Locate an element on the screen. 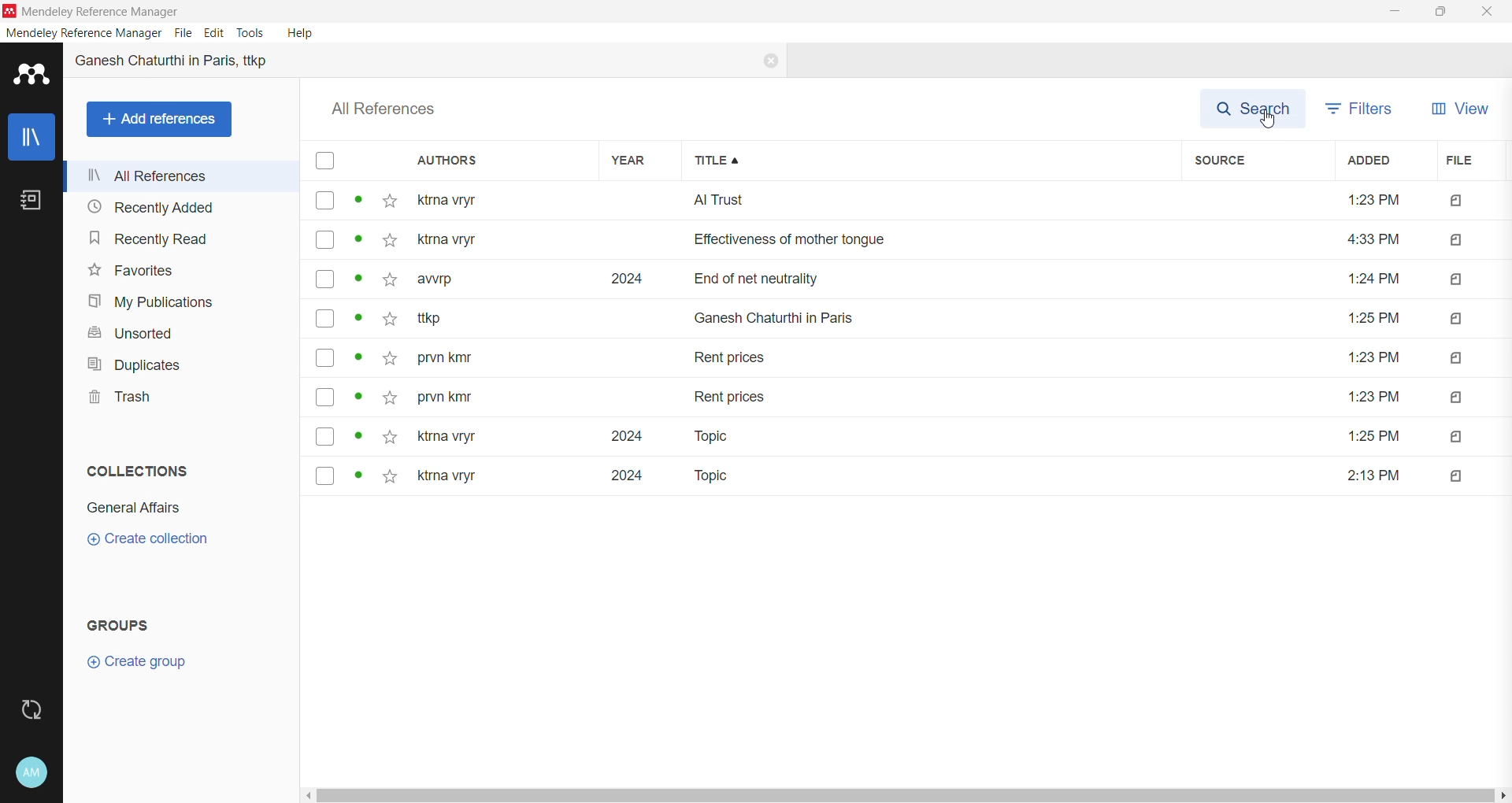  file type is located at coordinates (1456, 361).